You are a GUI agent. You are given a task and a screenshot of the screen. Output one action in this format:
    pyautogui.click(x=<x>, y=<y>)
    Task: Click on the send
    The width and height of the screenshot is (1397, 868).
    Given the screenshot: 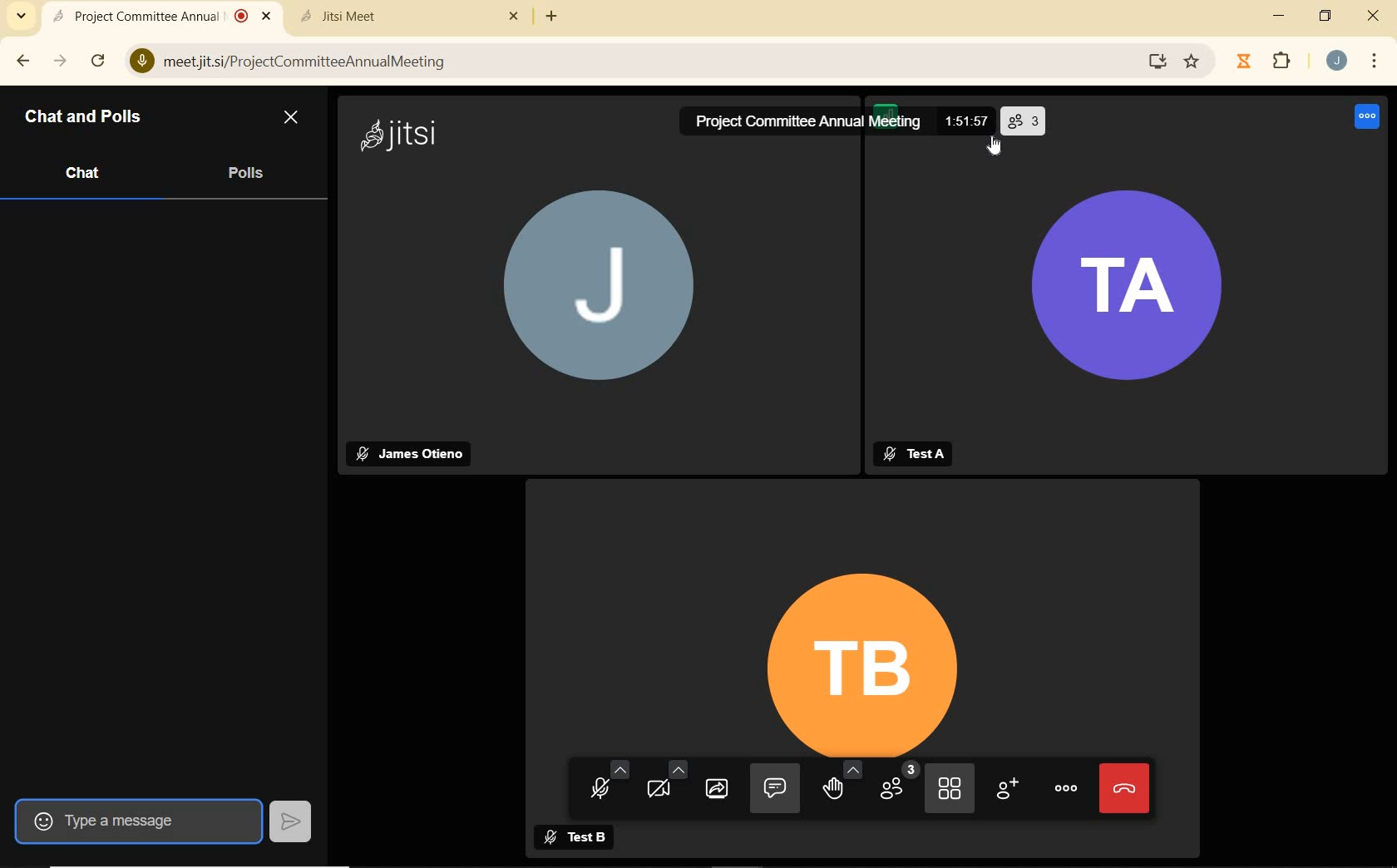 What is the action you would take?
    pyautogui.click(x=294, y=820)
    